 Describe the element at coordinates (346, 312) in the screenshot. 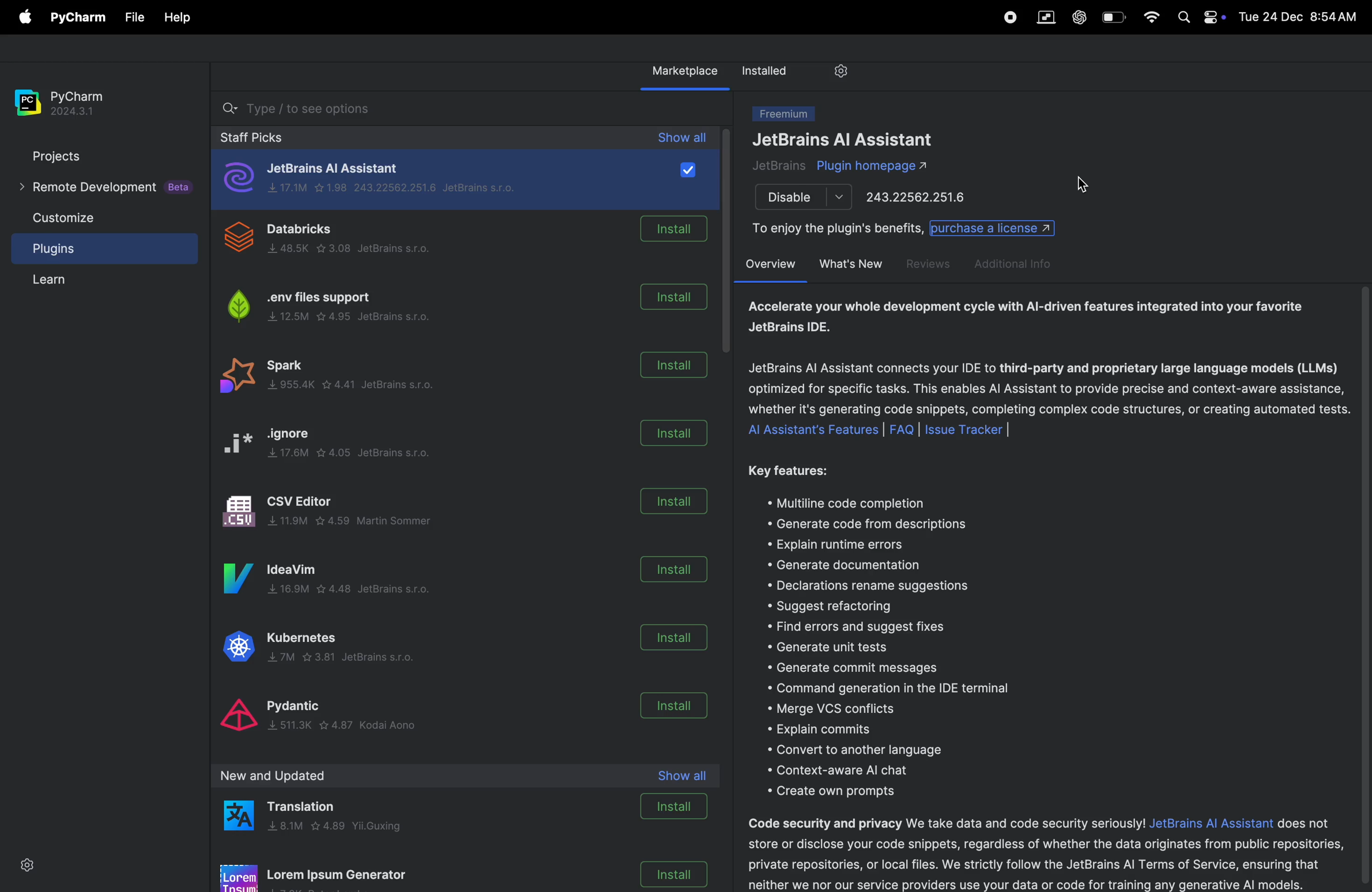

I see `.env files support` at that location.